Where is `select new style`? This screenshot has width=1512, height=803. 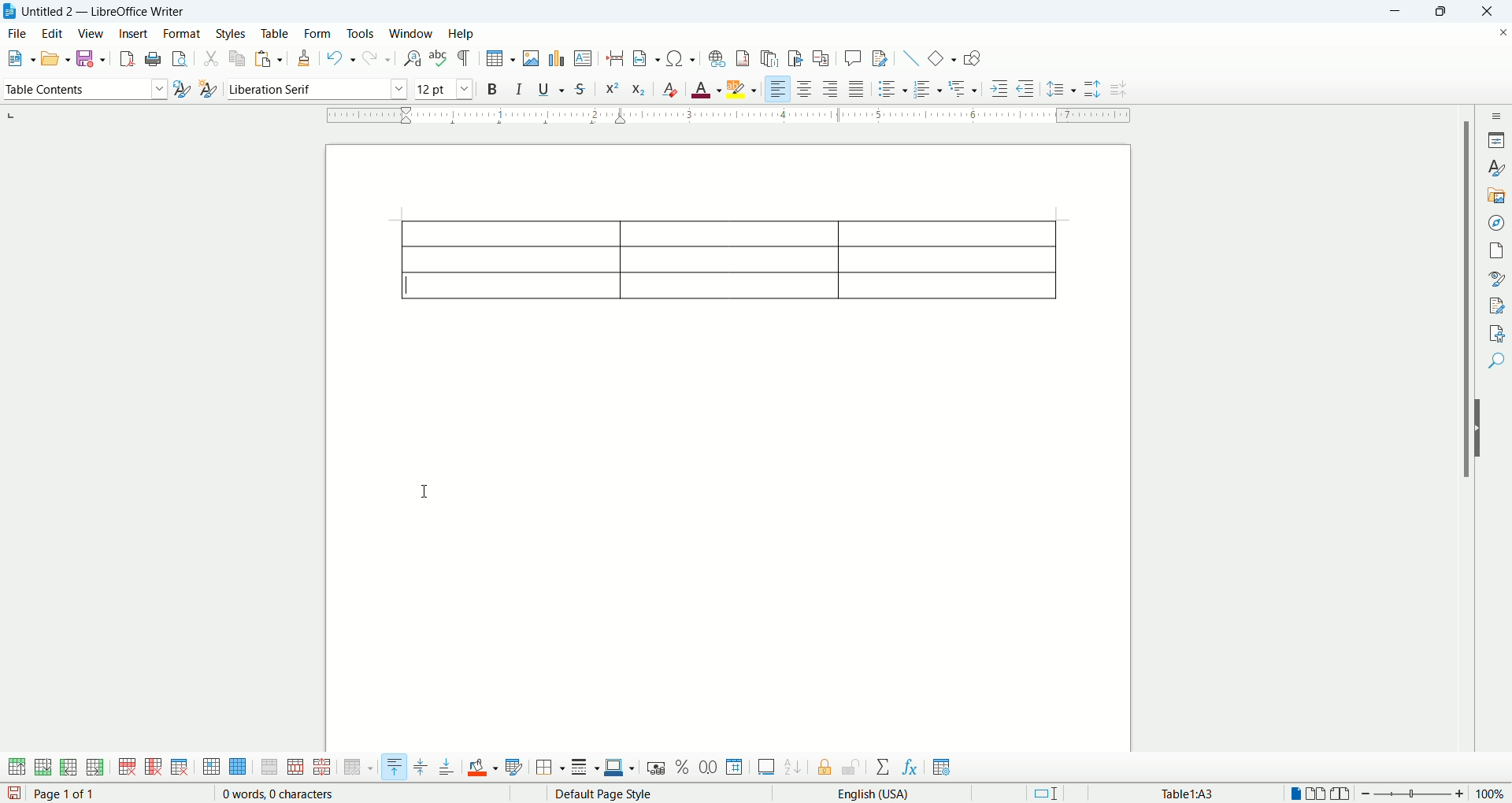 select new style is located at coordinates (206, 89).